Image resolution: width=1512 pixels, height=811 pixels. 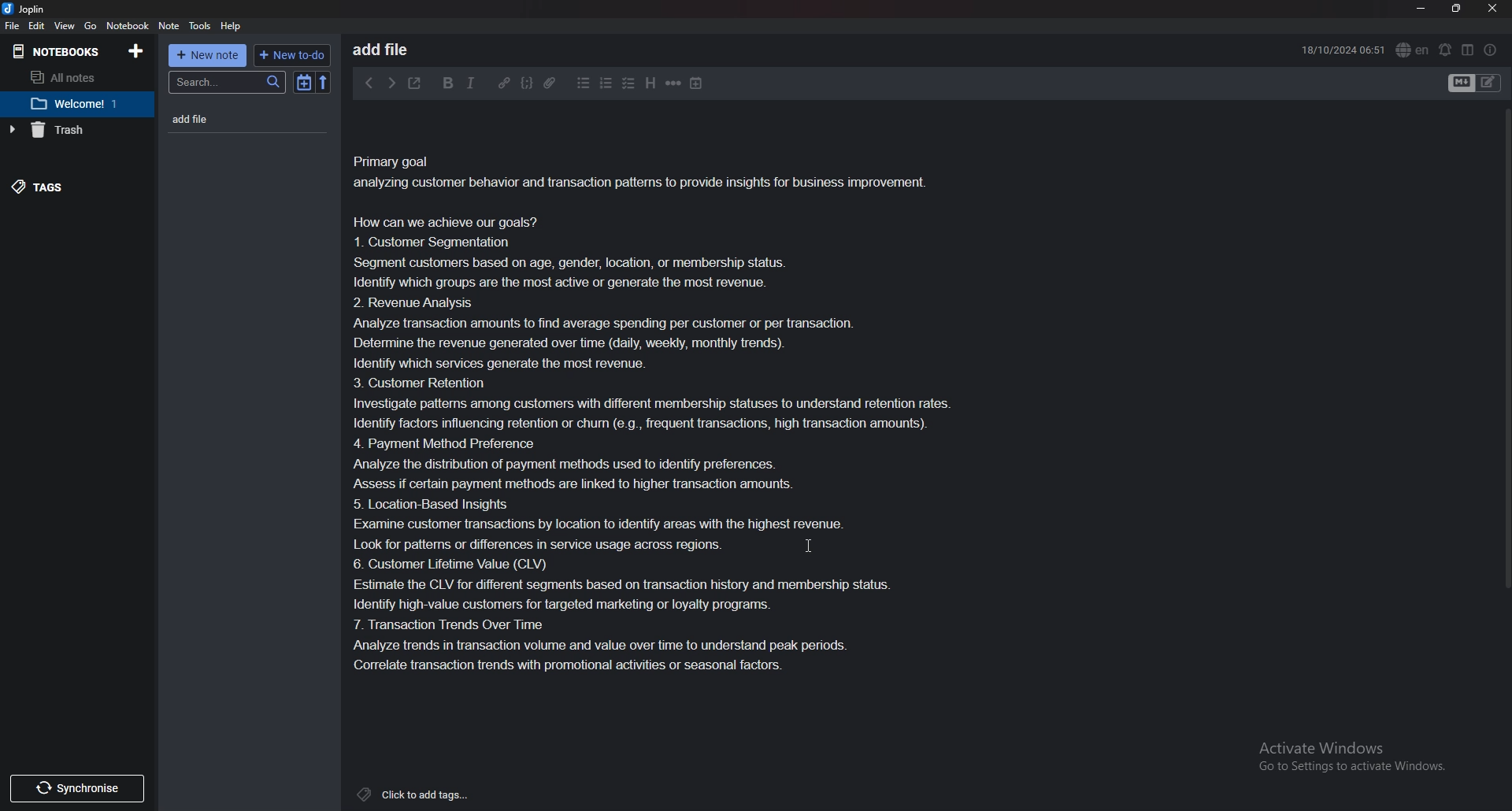 I want to click on Title, so click(x=397, y=48).